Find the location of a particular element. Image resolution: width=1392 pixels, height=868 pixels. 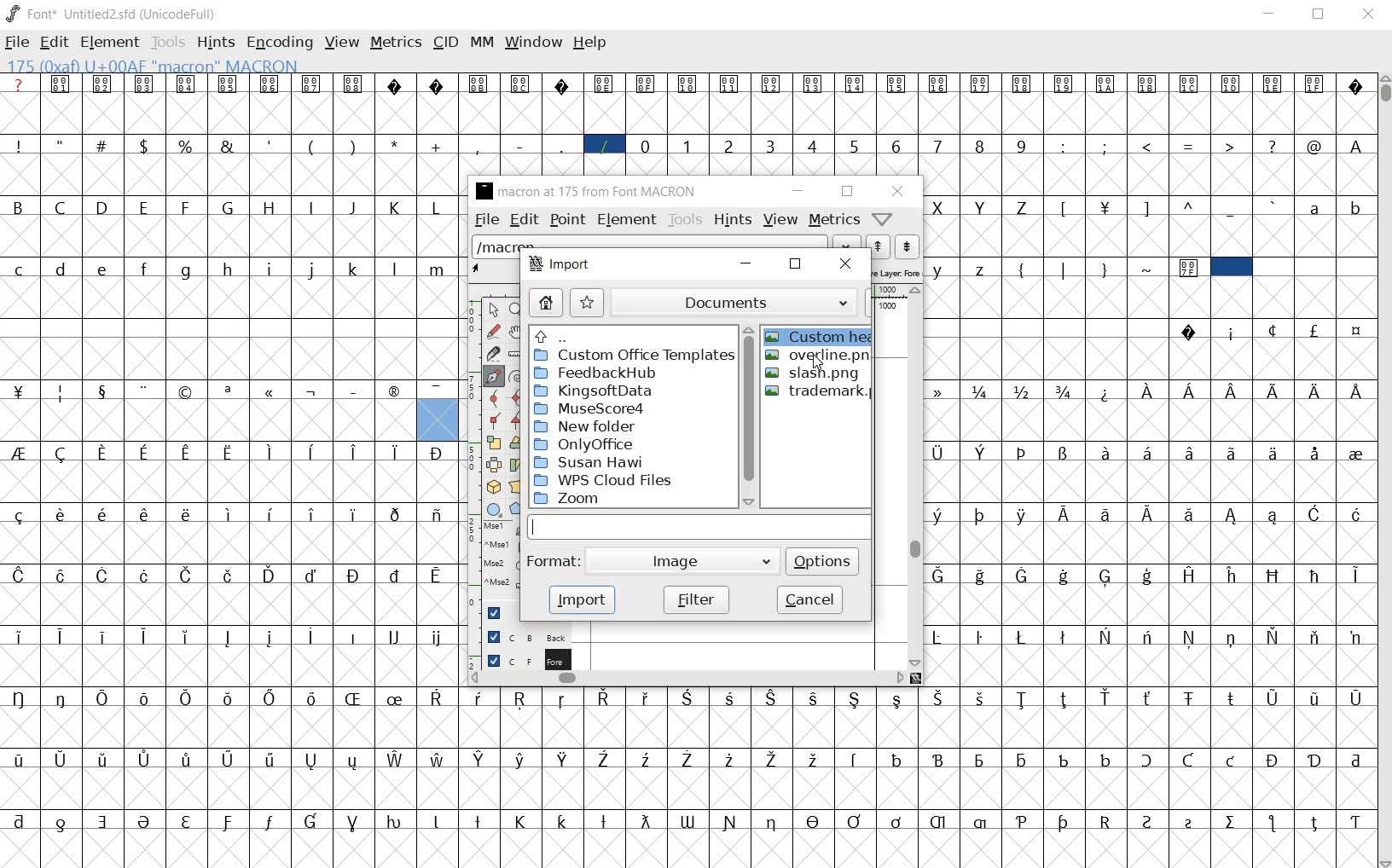

3D rotate is located at coordinates (494, 485).